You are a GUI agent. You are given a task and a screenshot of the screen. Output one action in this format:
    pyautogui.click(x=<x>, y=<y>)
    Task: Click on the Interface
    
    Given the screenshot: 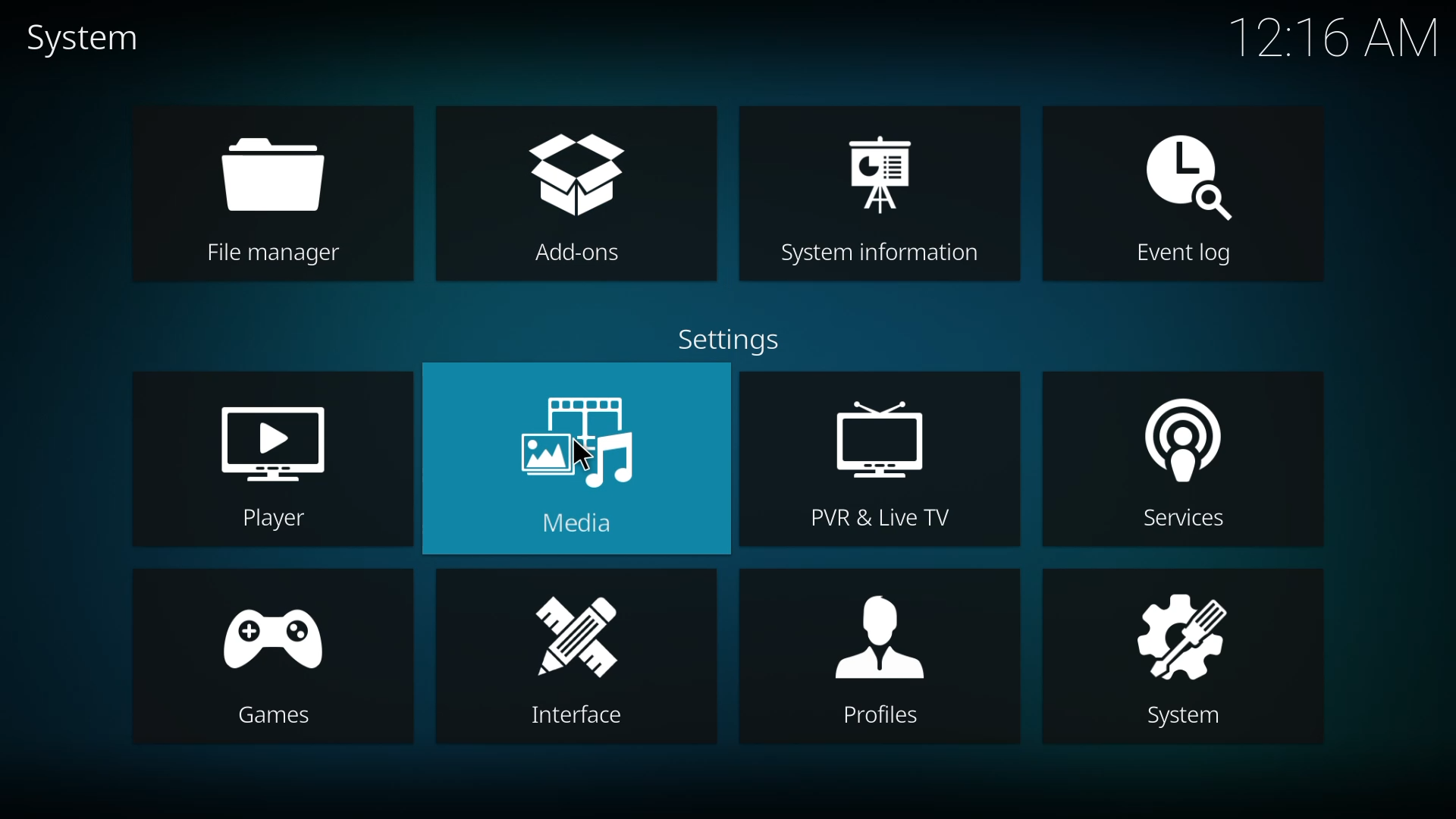 What is the action you would take?
    pyautogui.click(x=579, y=717)
    